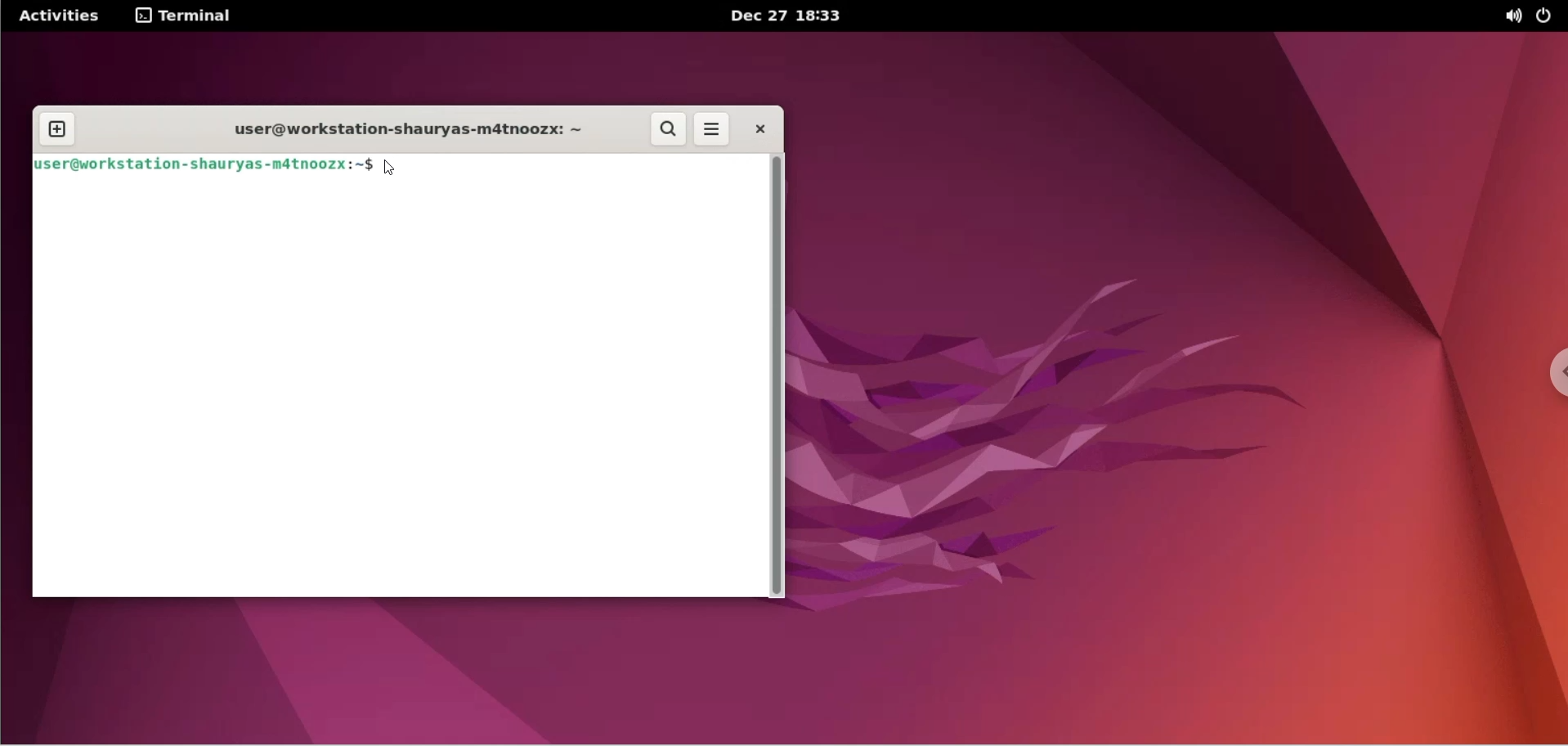 The height and width of the screenshot is (746, 1568). What do you see at coordinates (398, 129) in the screenshot?
I see `user@workstation-shauryas-m4tnoozx:~` at bounding box center [398, 129].